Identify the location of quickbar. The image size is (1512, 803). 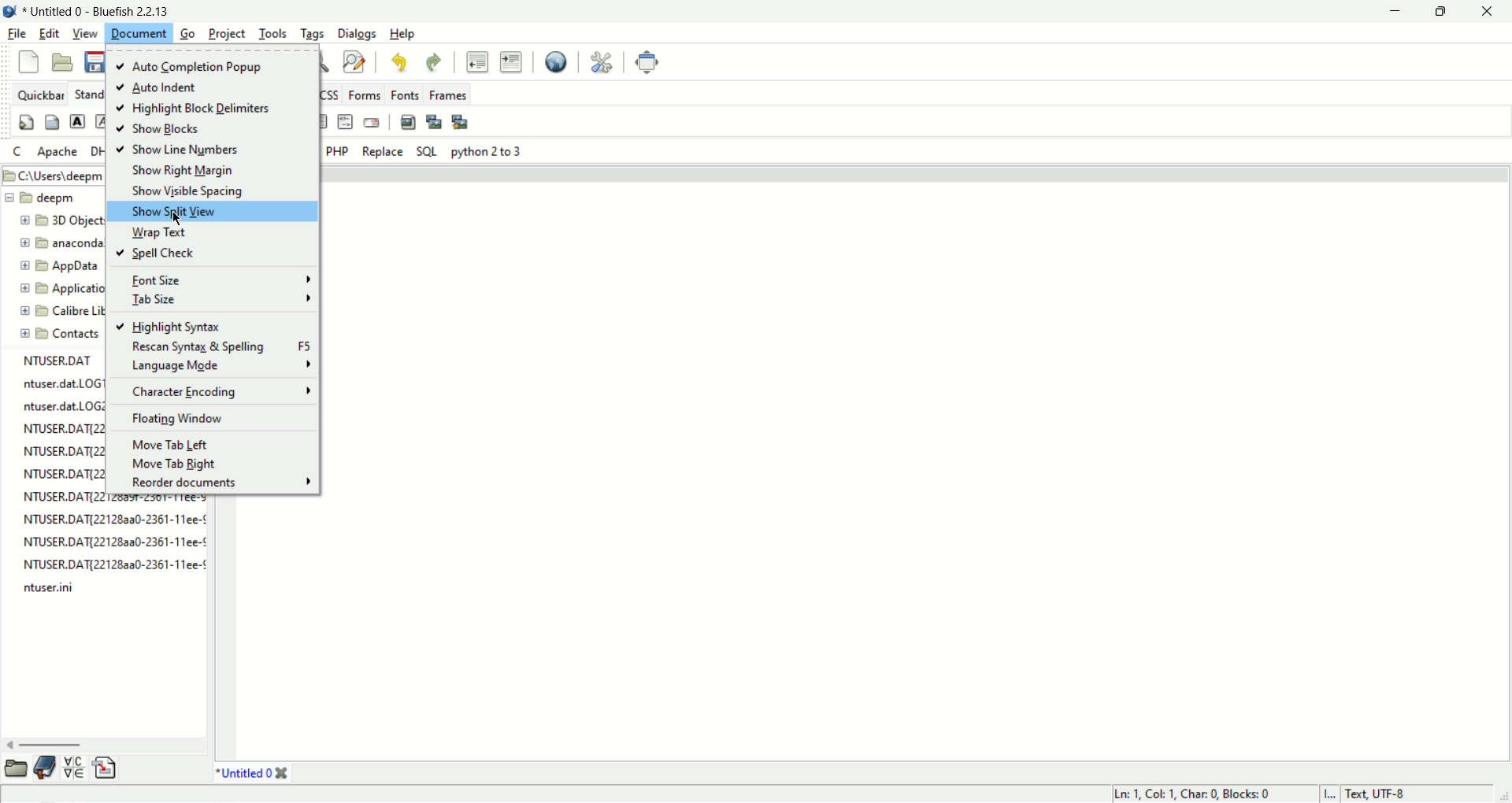
(39, 94).